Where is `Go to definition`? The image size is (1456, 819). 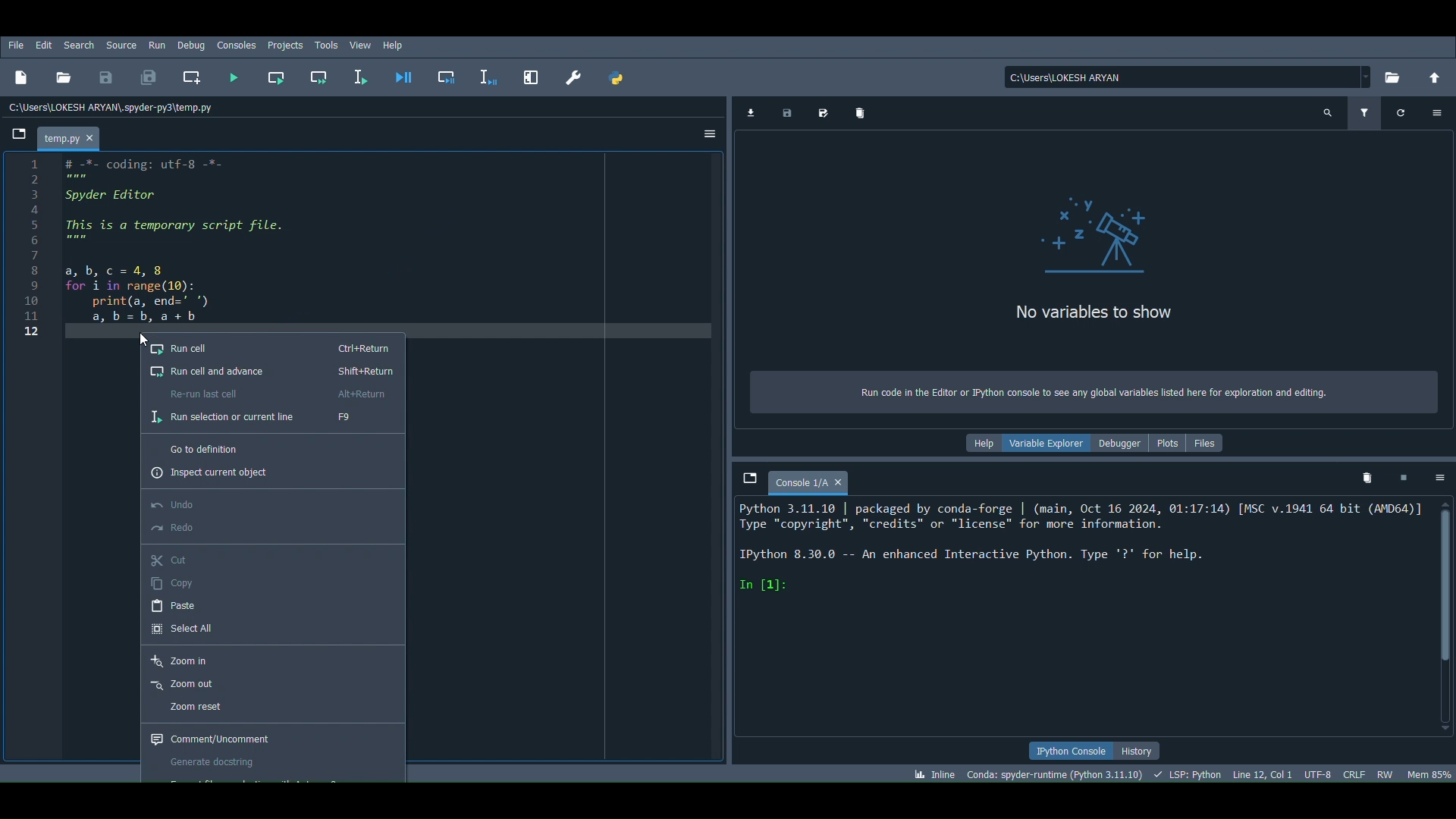 Go to definition is located at coordinates (260, 449).